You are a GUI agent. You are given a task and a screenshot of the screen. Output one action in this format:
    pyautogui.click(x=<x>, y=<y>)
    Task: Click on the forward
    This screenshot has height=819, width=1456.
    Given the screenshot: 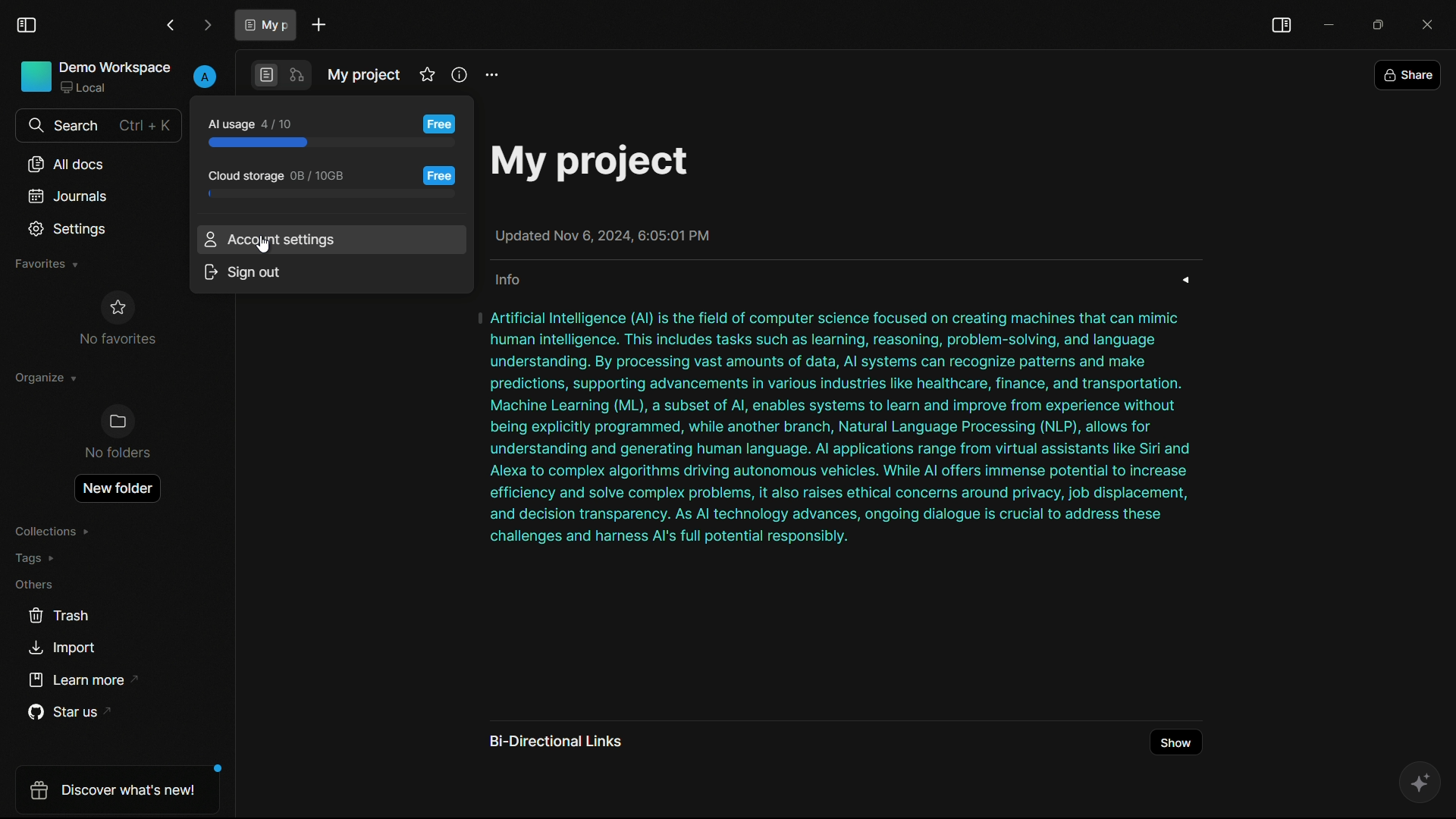 What is the action you would take?
    pyautogui.click(x=207, y=26)
    